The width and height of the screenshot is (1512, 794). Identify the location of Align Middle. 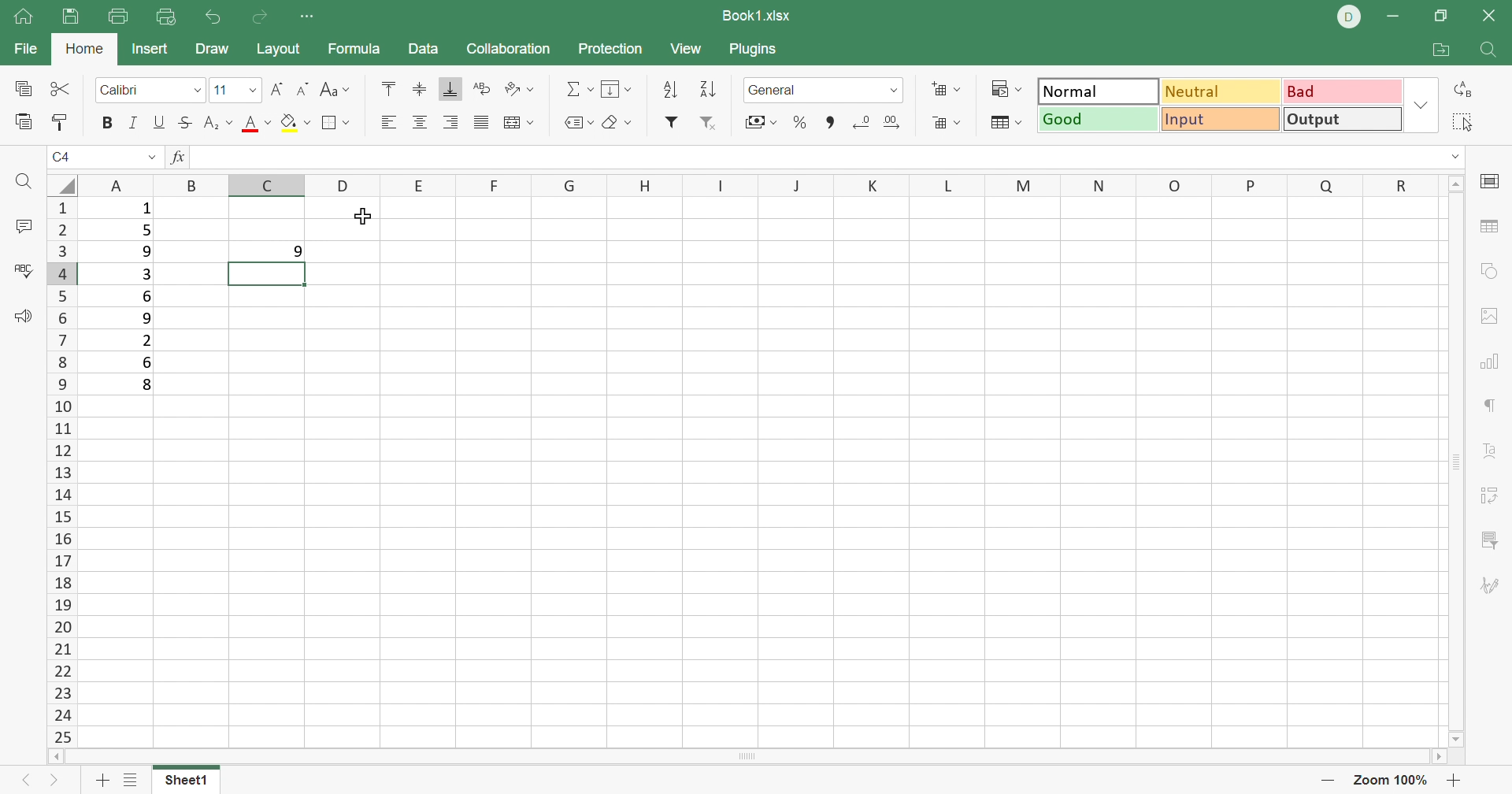
(415, 91).